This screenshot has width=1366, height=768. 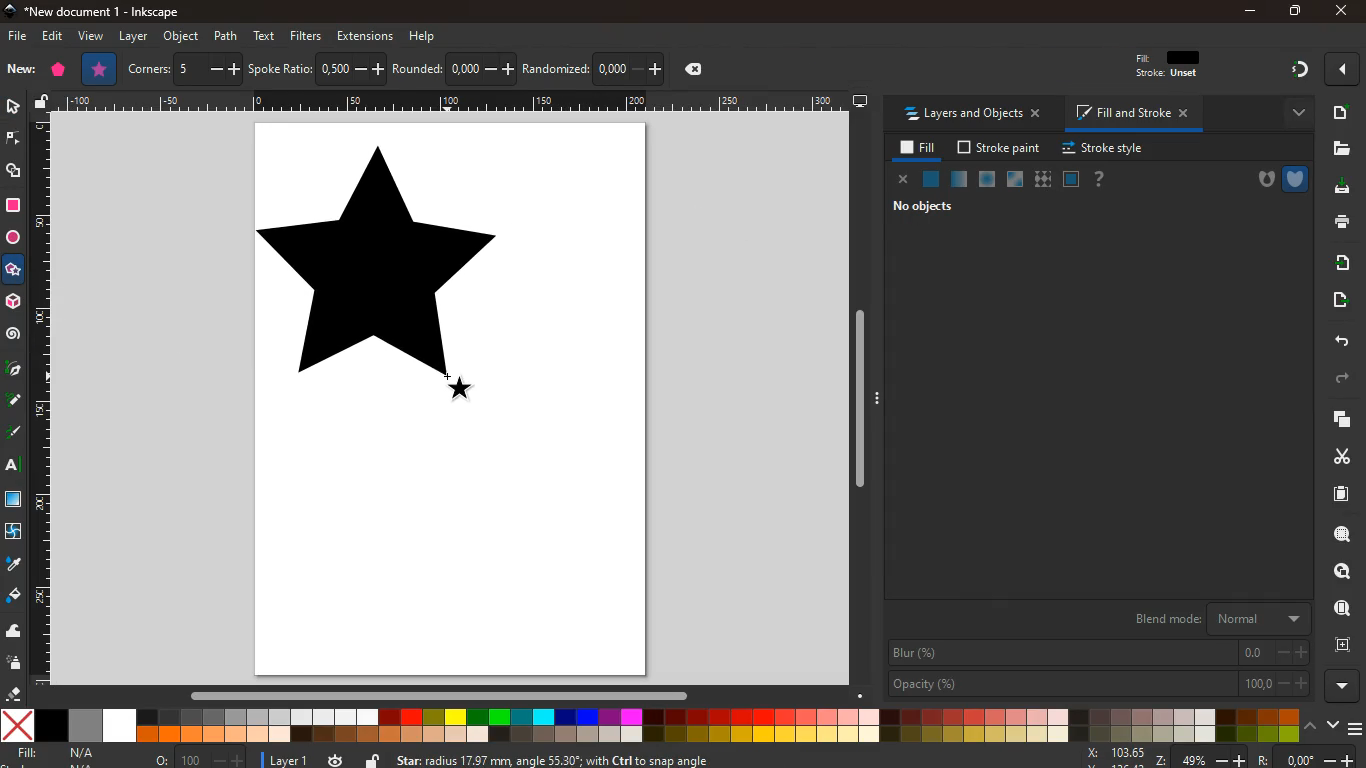 What do you see at coordinates (1297, 179) in the screenshot?
I see `shield` at bounding box center [1297, 179].